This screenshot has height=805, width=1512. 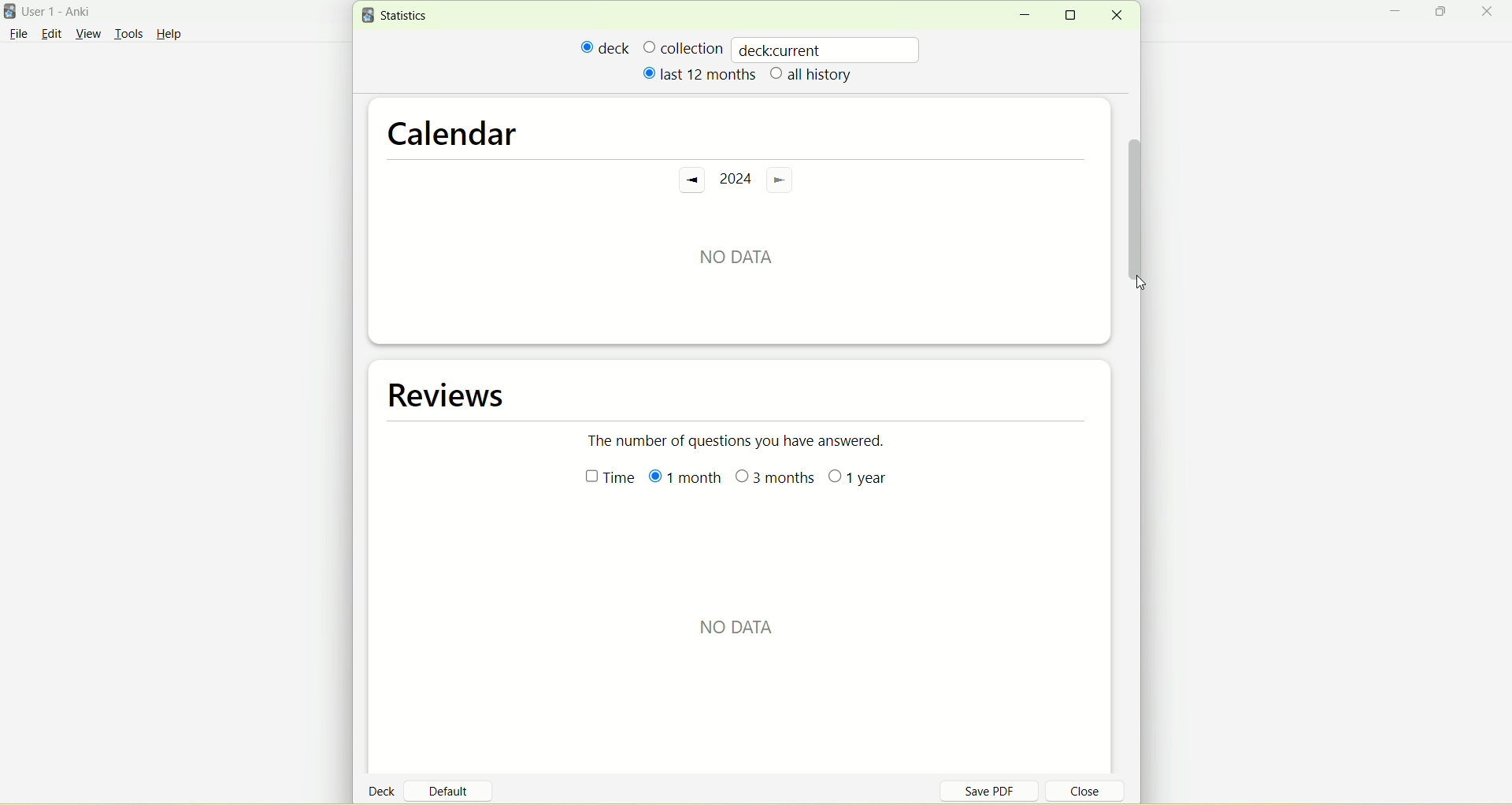 I want to click on NO DATA, so click(x=739, y=628).